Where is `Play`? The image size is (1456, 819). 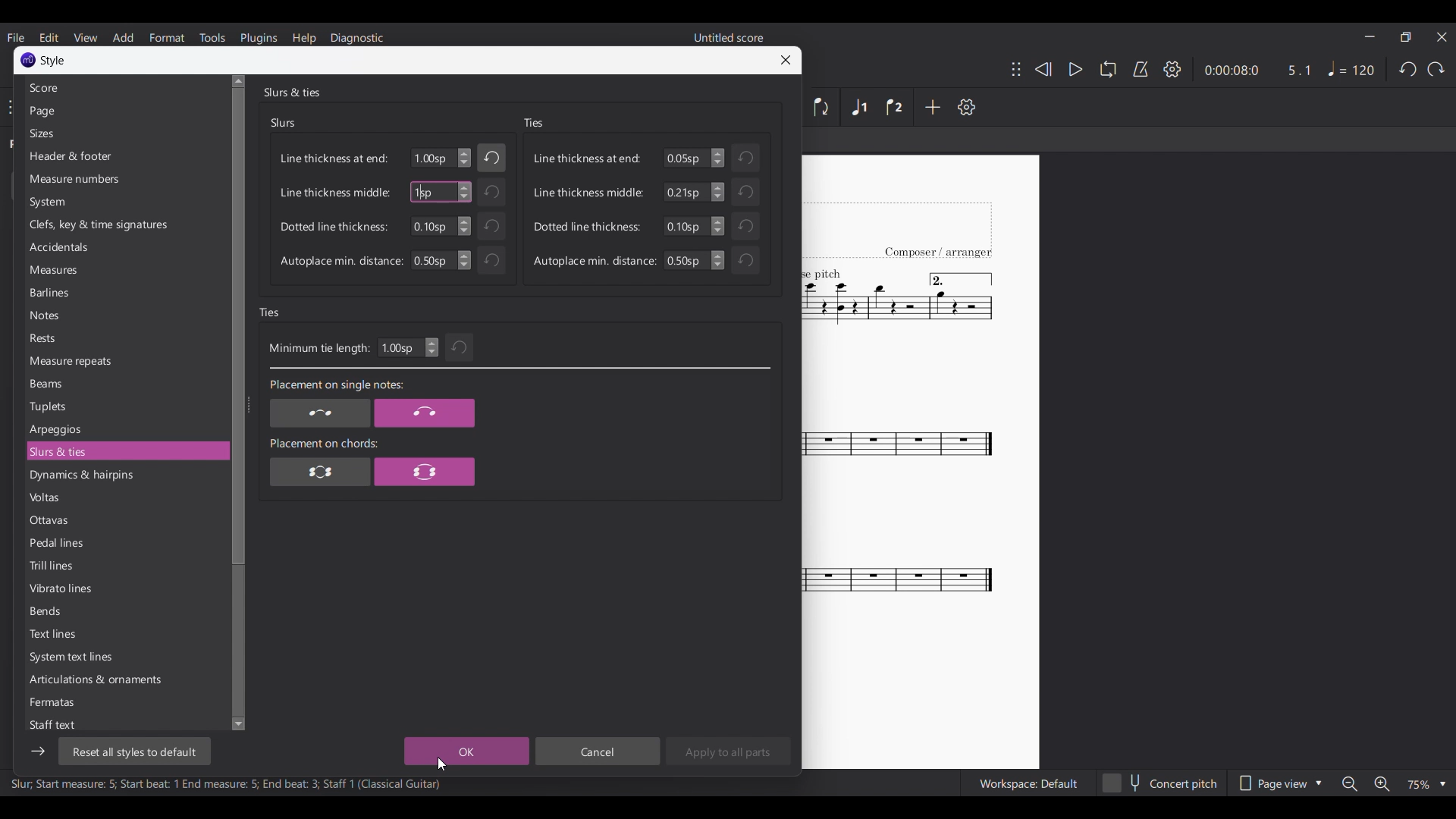
Play is located at coordinates (1069, 69).